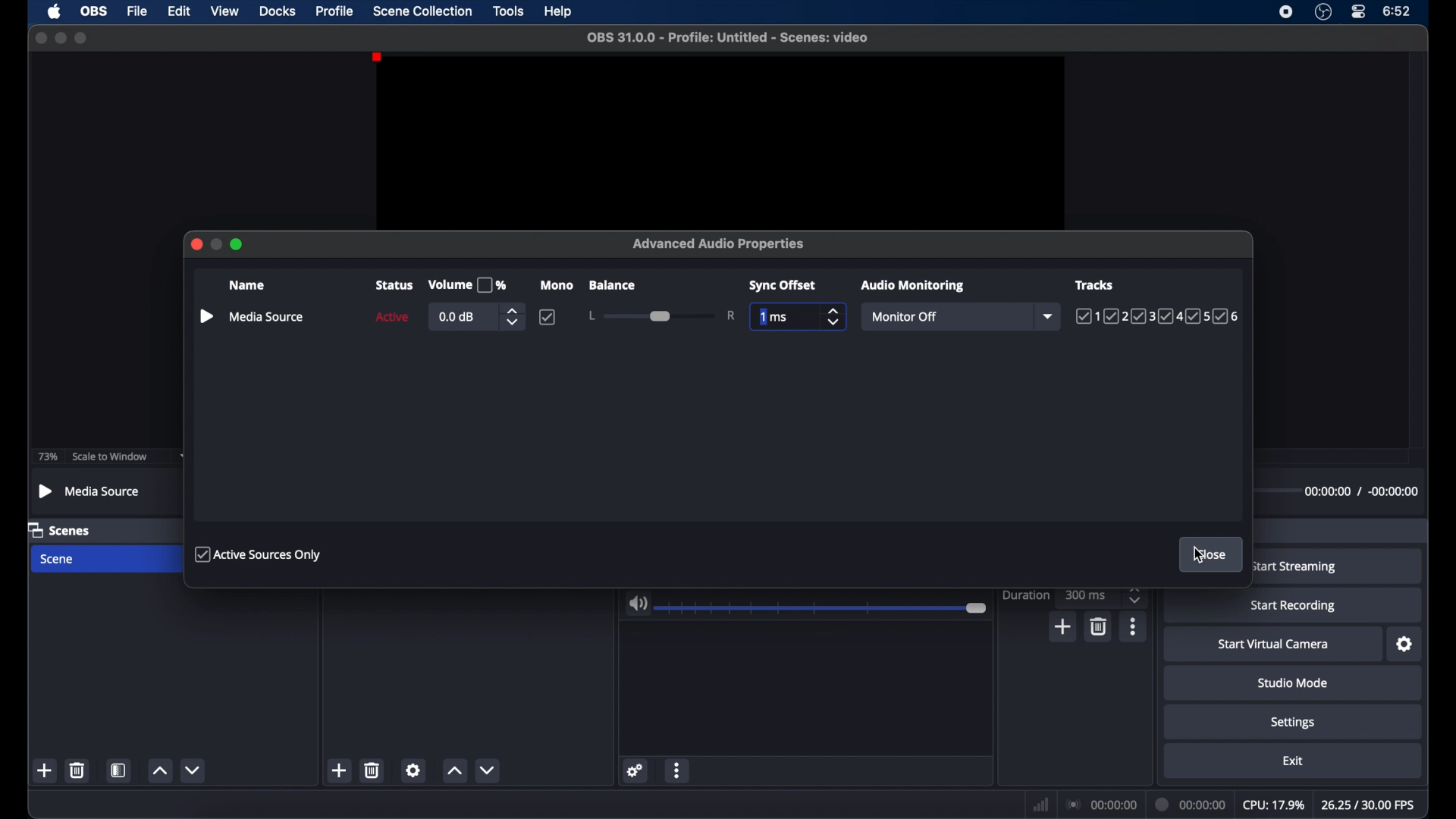 The height and width of the screenshot is (819, 1456). Describe the element at coordinates (1093, 285) in the screenshot. I see `tracks` at that location.